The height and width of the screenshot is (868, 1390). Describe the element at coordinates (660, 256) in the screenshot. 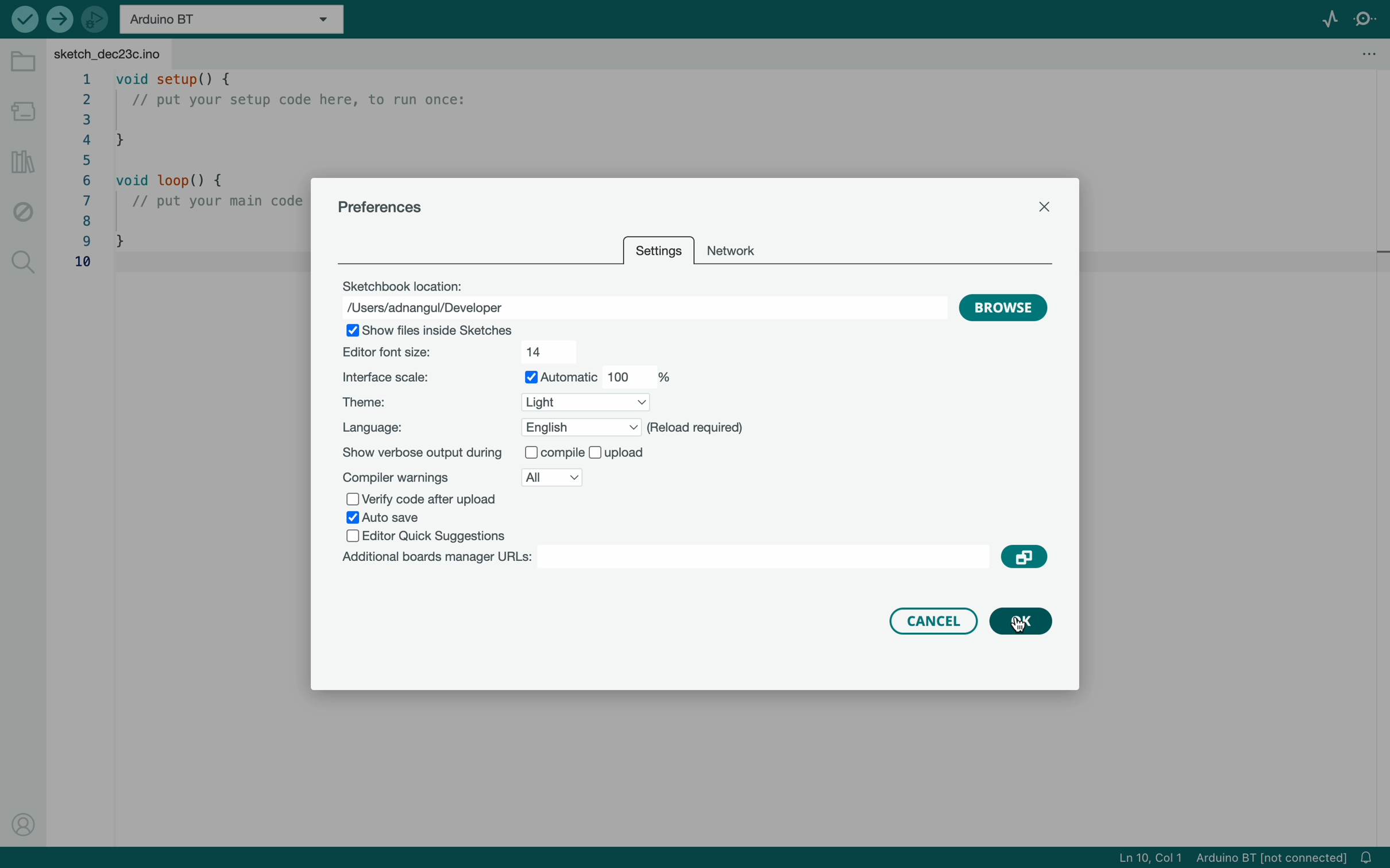

I see `setting` at that location.